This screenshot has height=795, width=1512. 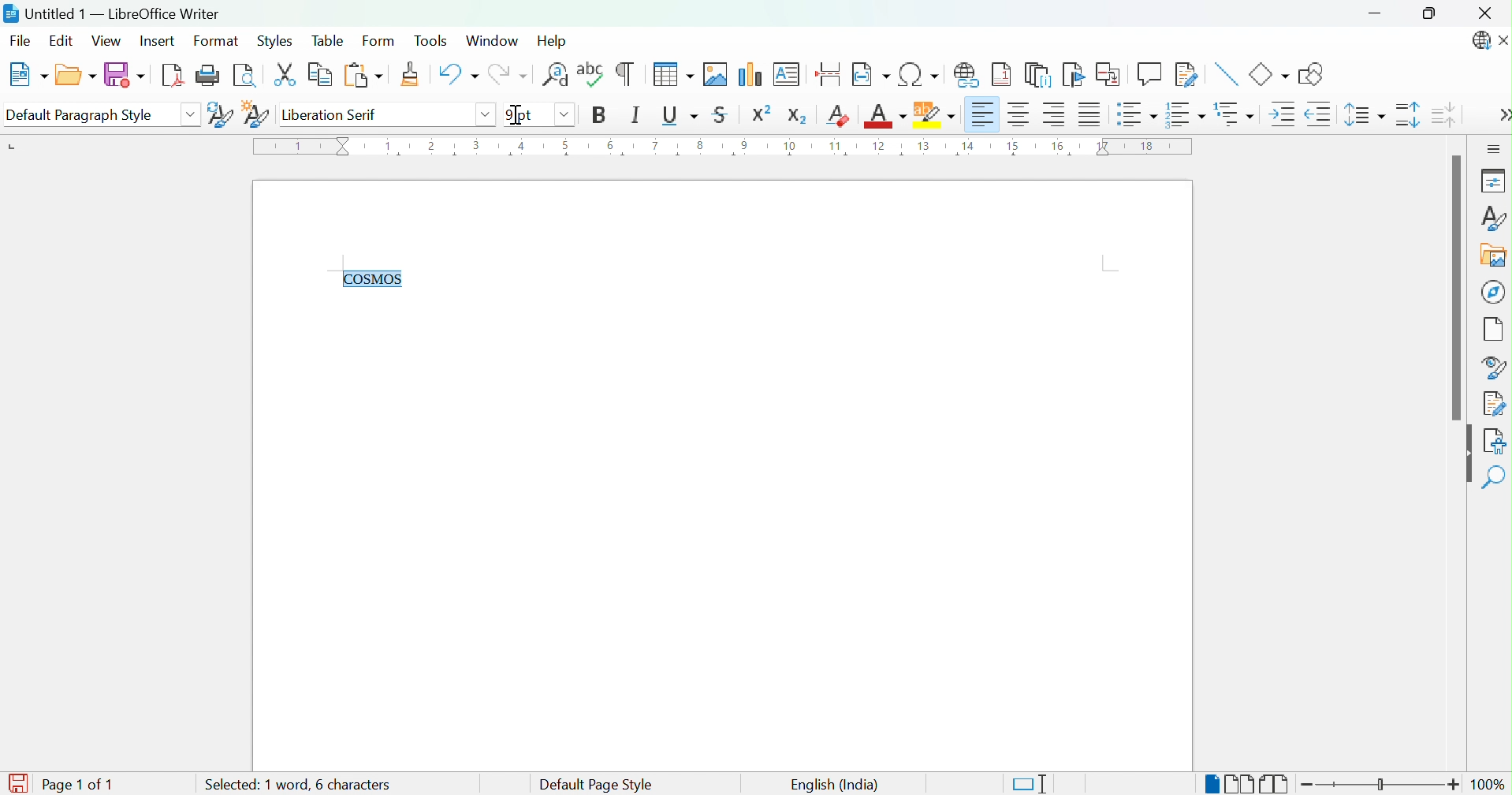 What do you see at coordinates (1313, 787) in the screenshot?
I see `Zoom out` at bounding box center [1313, 787].